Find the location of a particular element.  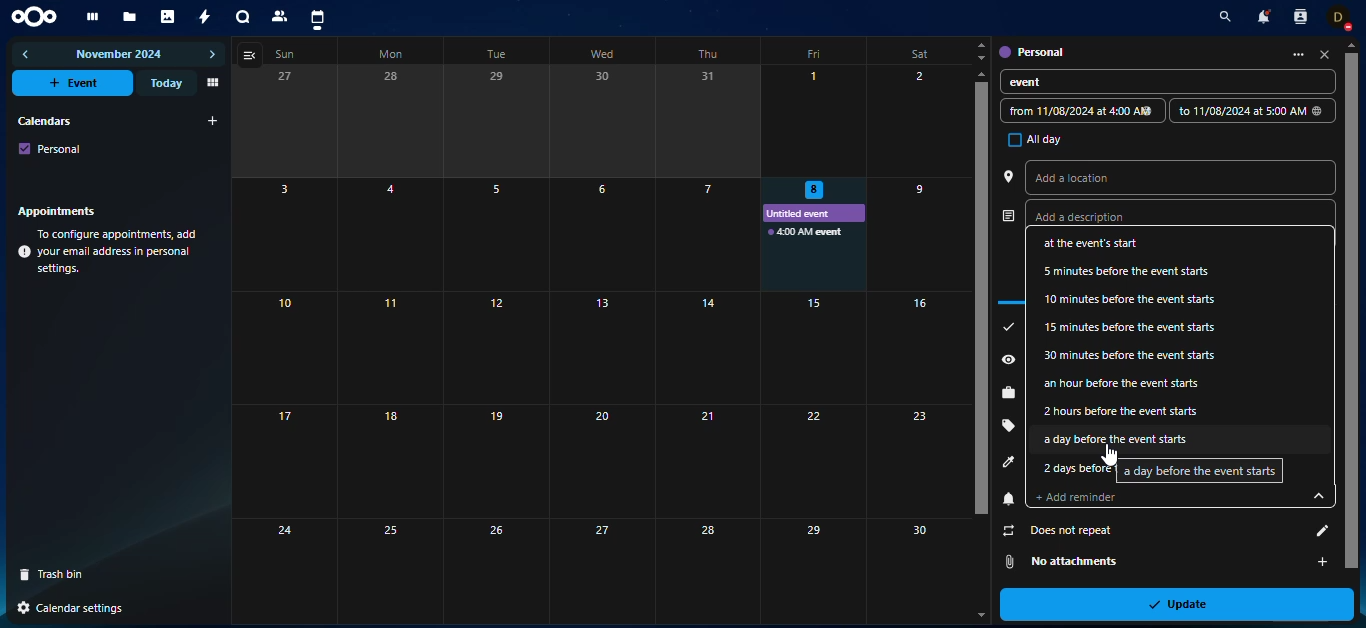

Move up is located at coordinates (1350, 46).